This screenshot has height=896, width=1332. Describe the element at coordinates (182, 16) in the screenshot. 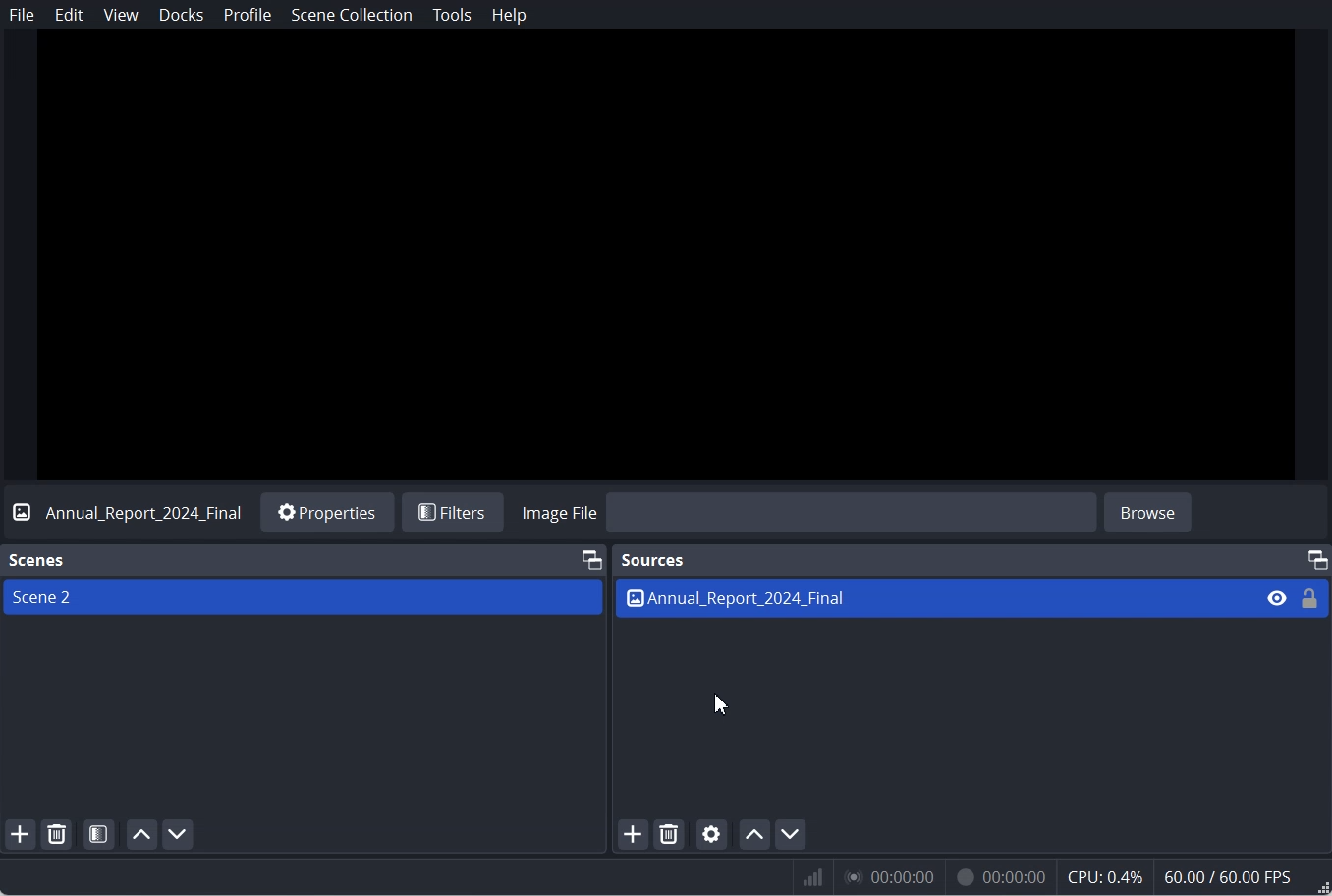

I see `Docks` at that location.